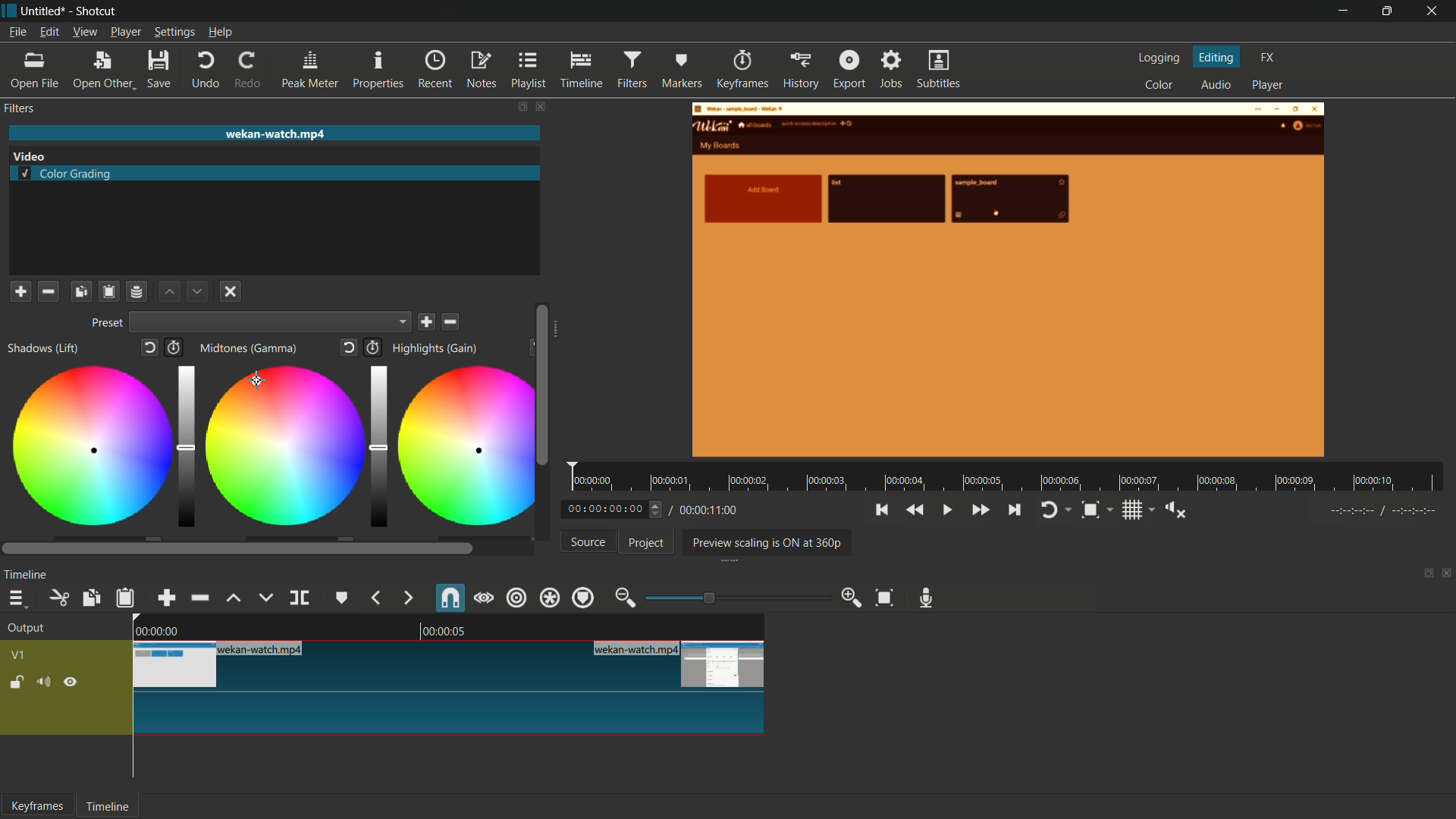 This screenshot has width=1456, height=819. What do you see at coordinates (1157, 58) in the screenshot?
I see `logging` at bounding box center [1157, 58].